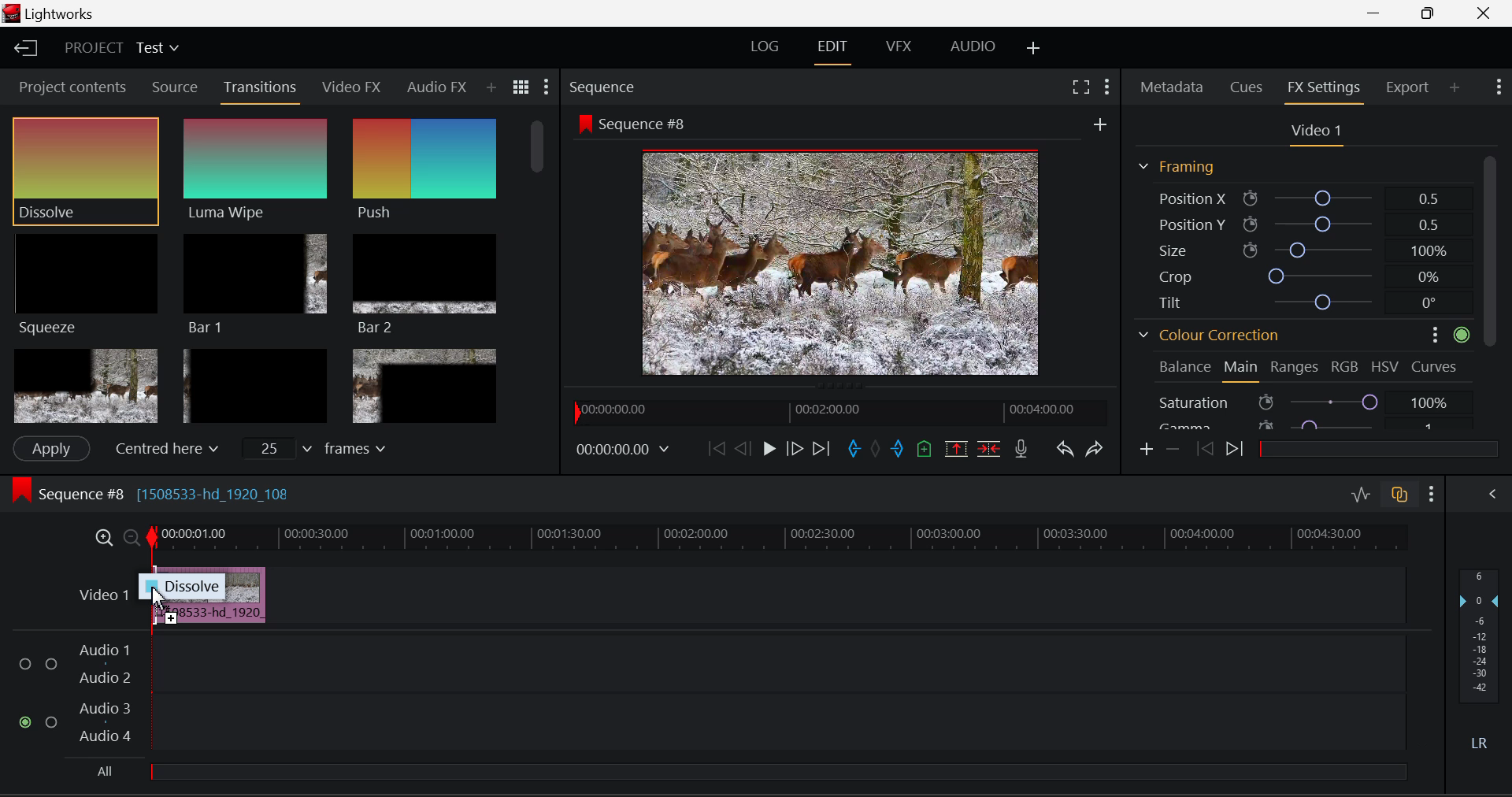  Describe the element at coordinates (967, 48) in the screenshot. I see `AUDIO Layout` at that location.